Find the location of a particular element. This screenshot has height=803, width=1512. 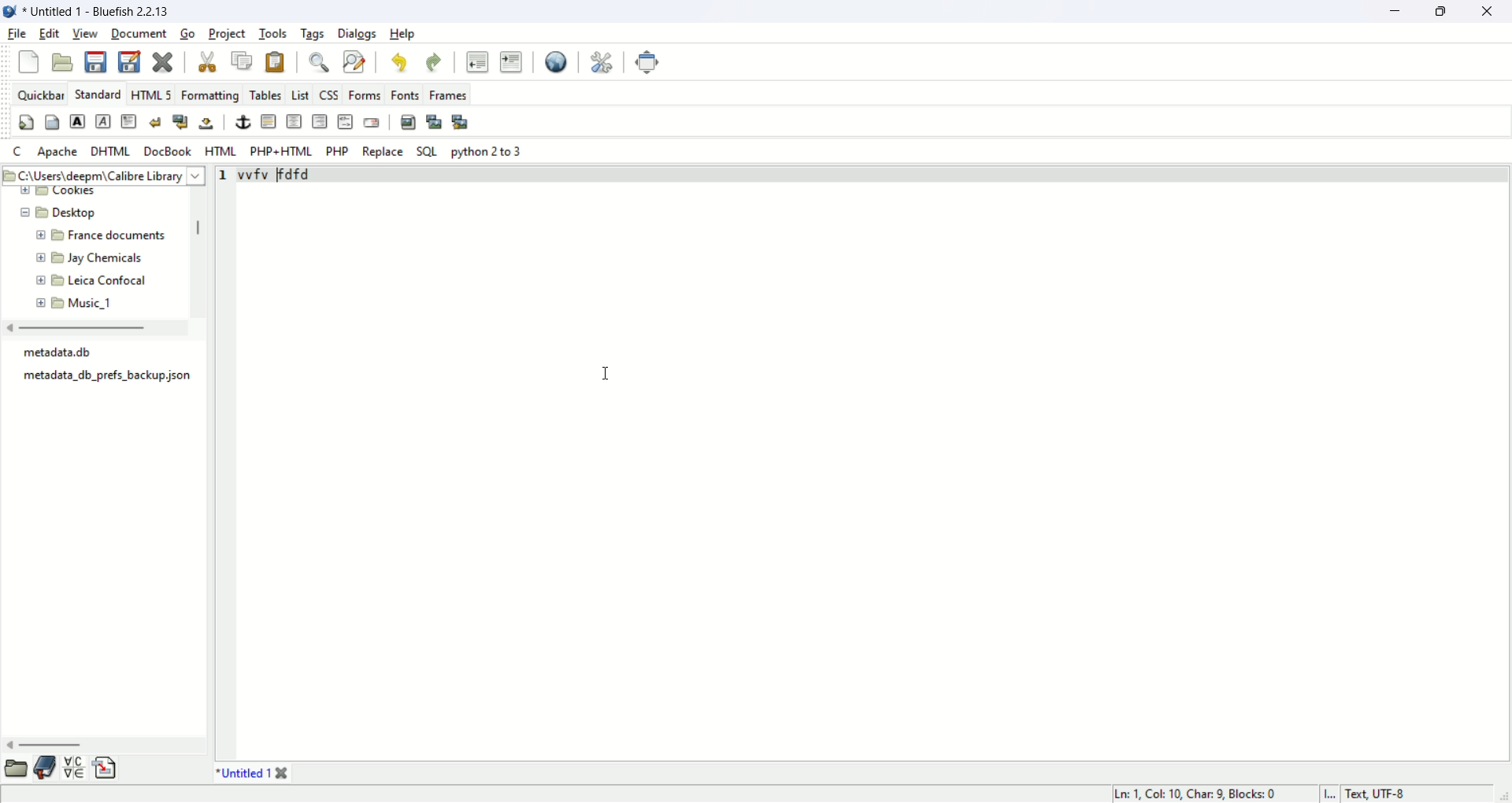

right justify is located at coordinates (319, 121).